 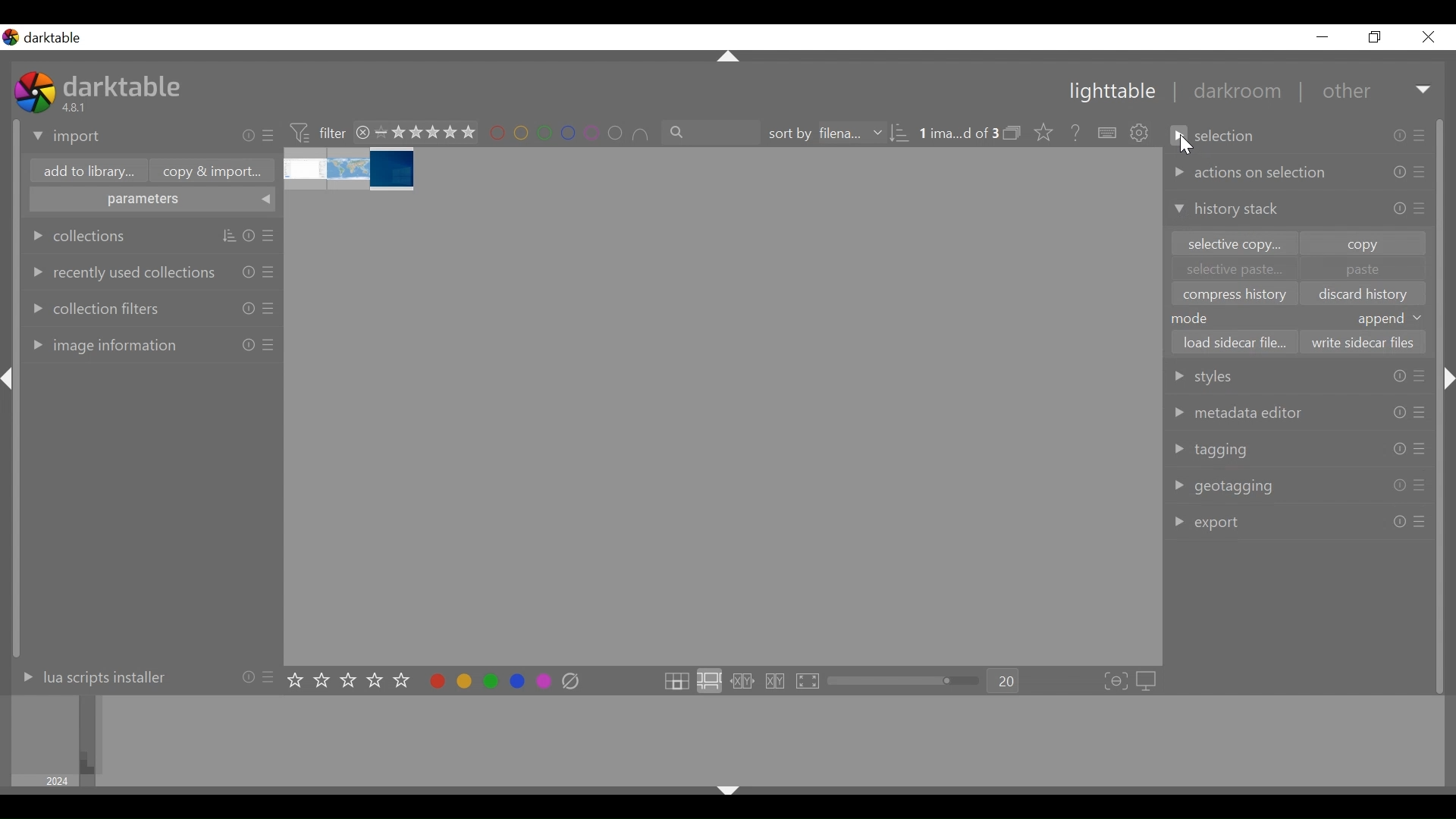 I want to click on presets, so click(x=270, y=271).